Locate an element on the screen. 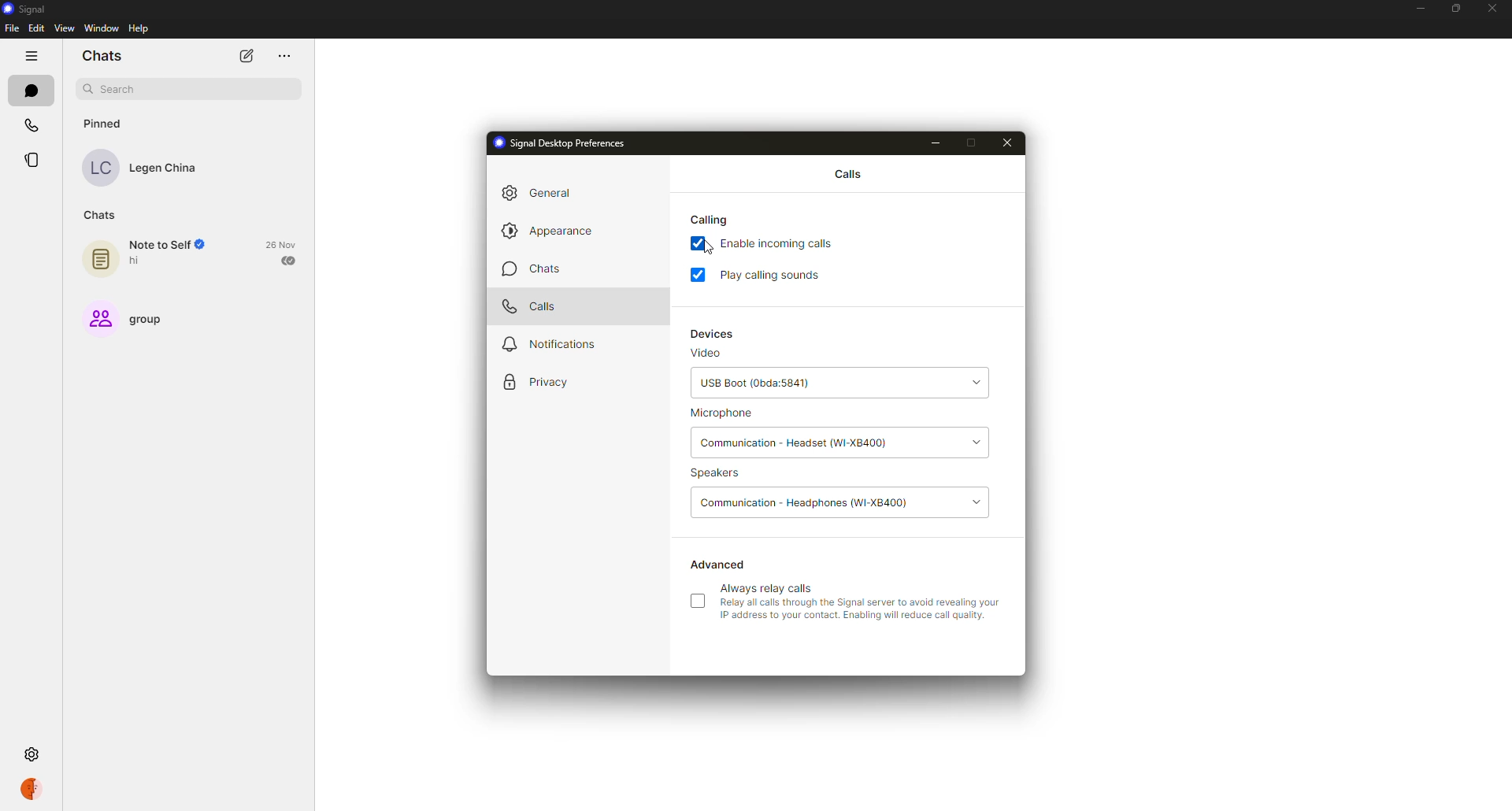 Image resolution: width=1512 pixels, height=811 pixels. window is located at coordinates (100, 28).